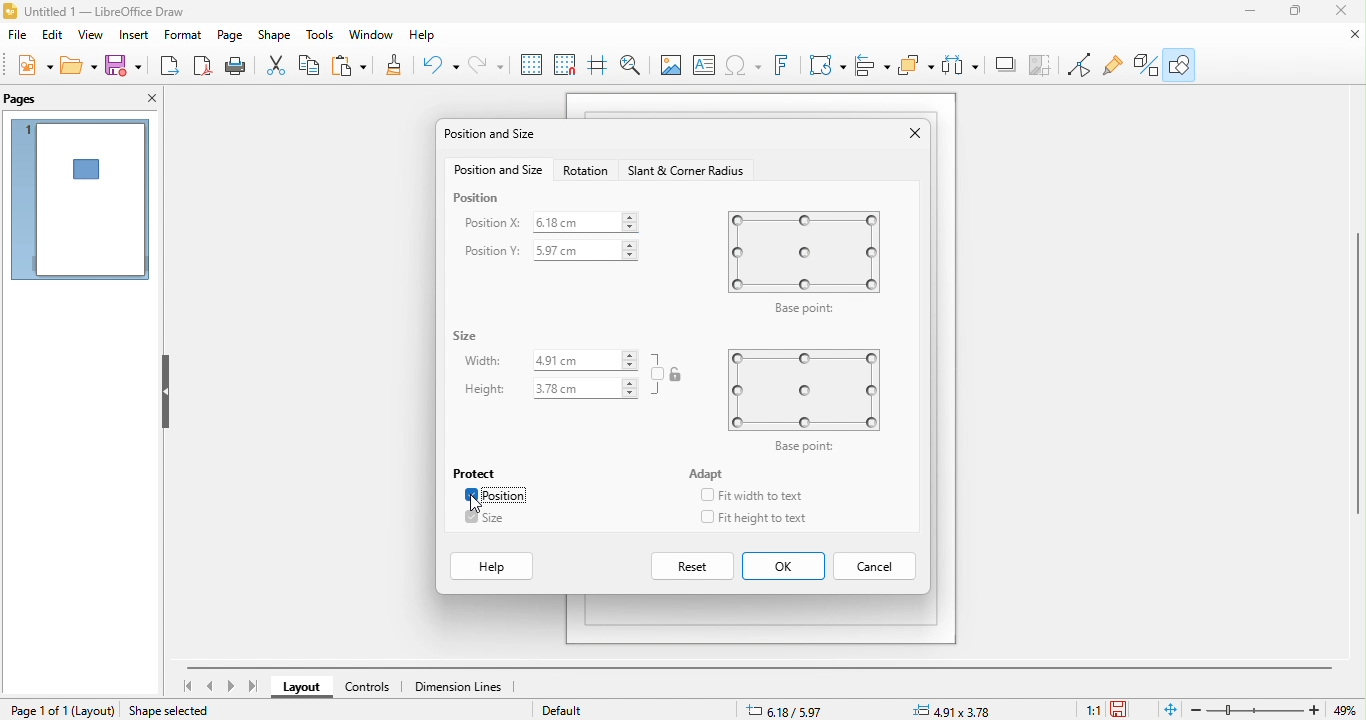 Image resolution: width=1366 pixels, height=720 pixels. Describe the element at coordinates (1167, 709) in the screenshot. I see `fill page to current window` at that location.